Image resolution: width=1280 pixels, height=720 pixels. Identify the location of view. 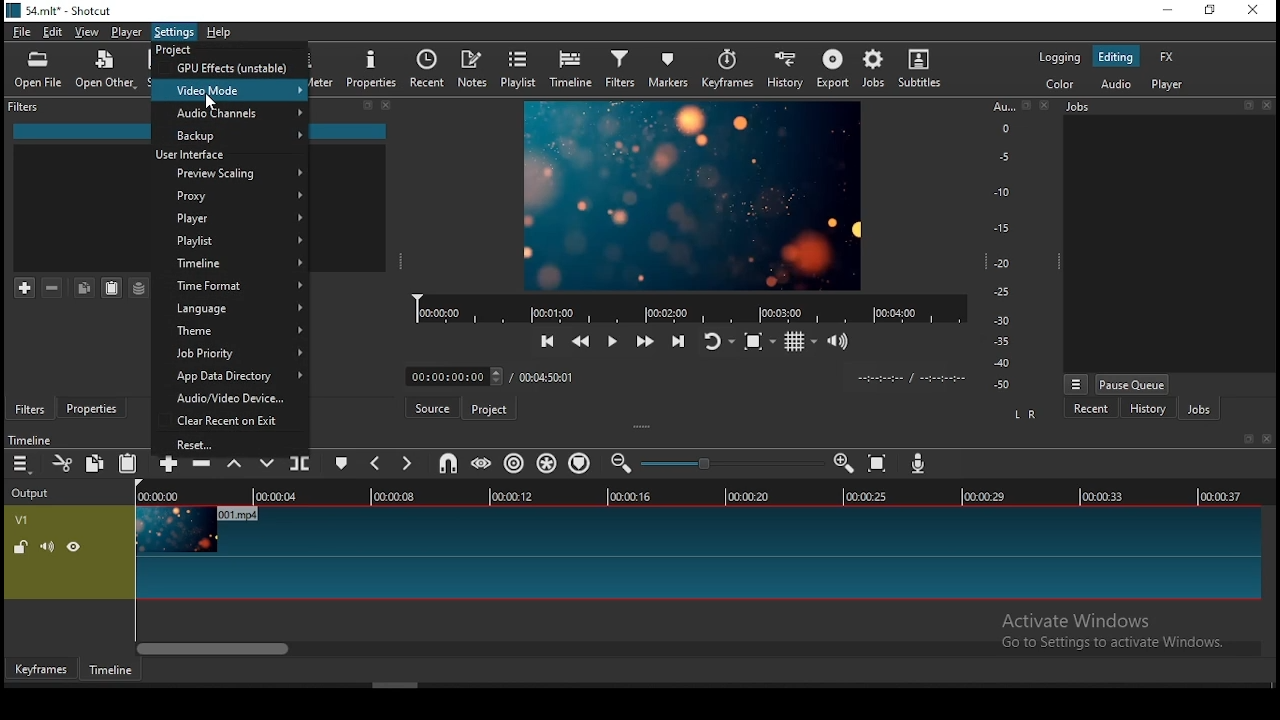
(89, 34).